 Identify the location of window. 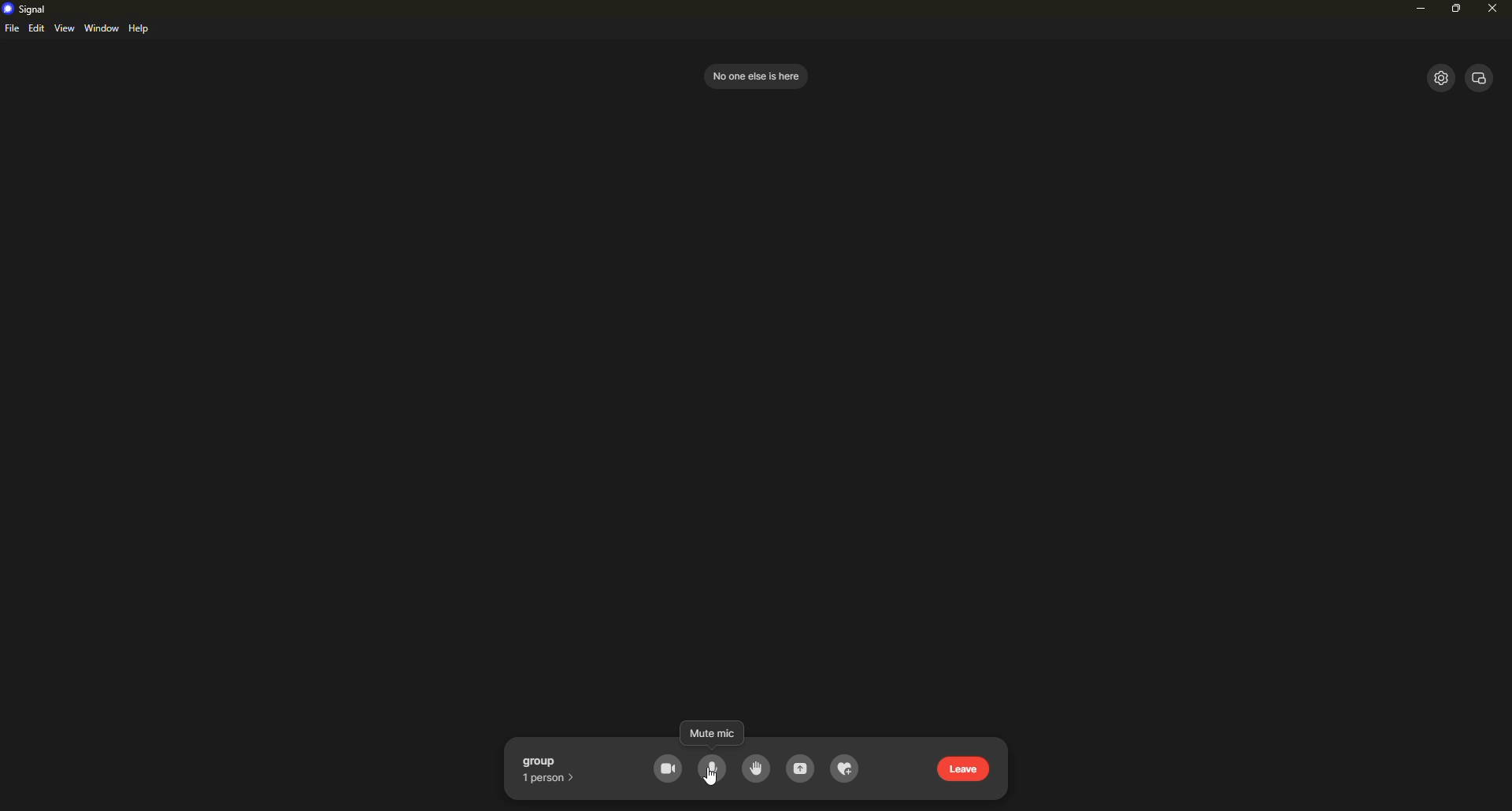
(102, 28).